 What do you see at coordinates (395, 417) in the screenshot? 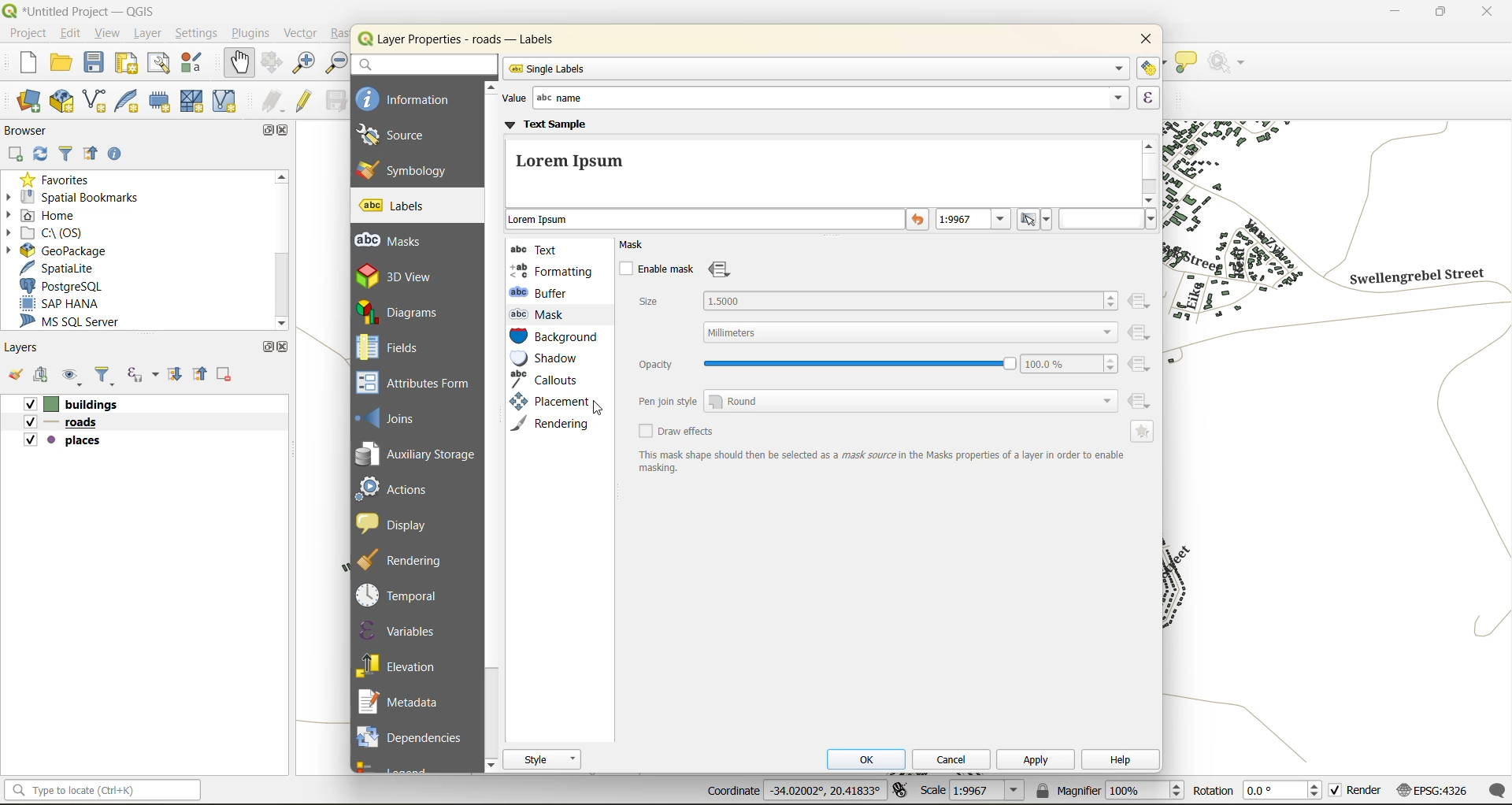
I see `joins` at bounding box center [395, 417].